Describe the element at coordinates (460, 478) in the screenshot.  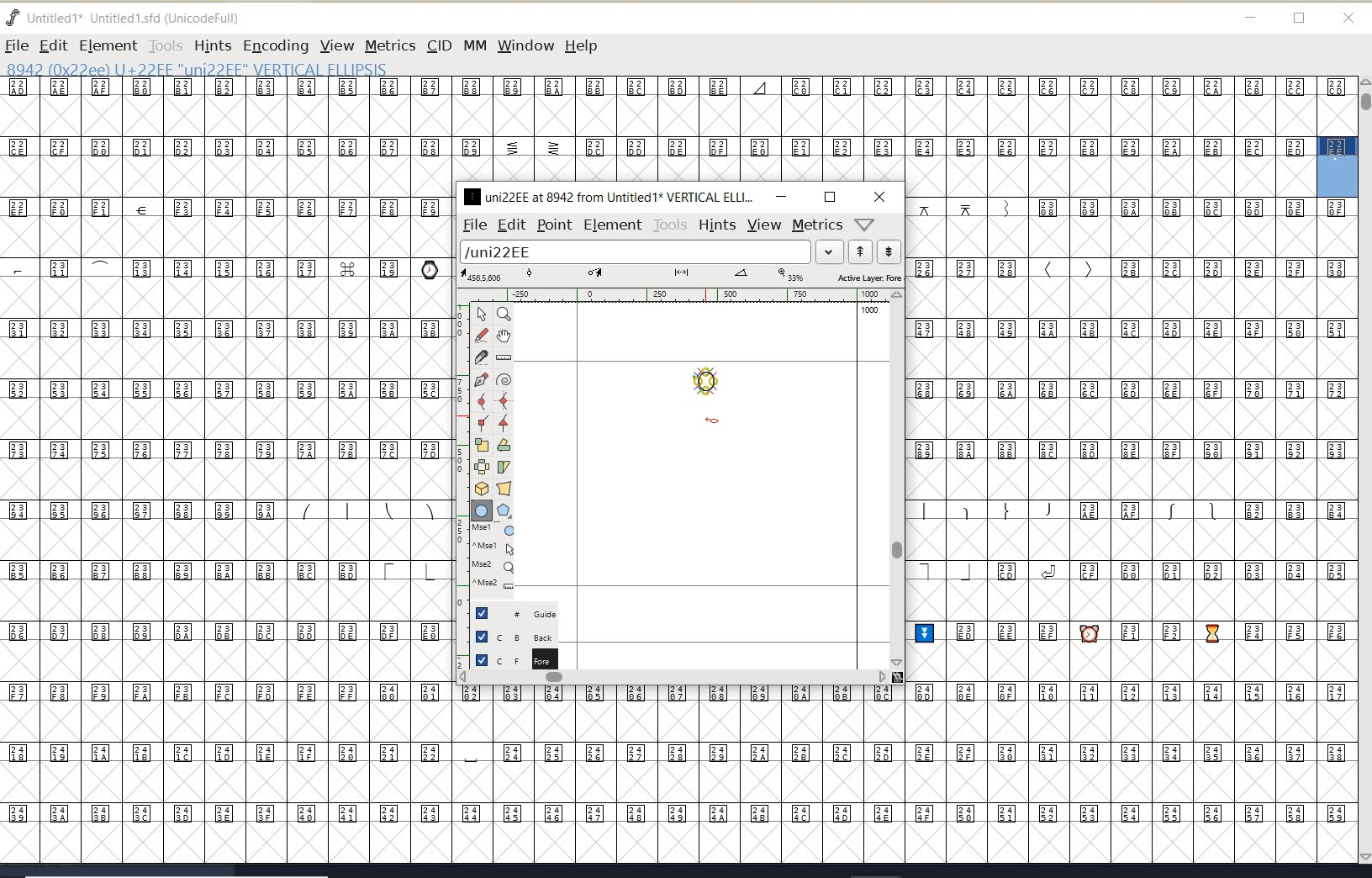
I see `SCALE` at that location.